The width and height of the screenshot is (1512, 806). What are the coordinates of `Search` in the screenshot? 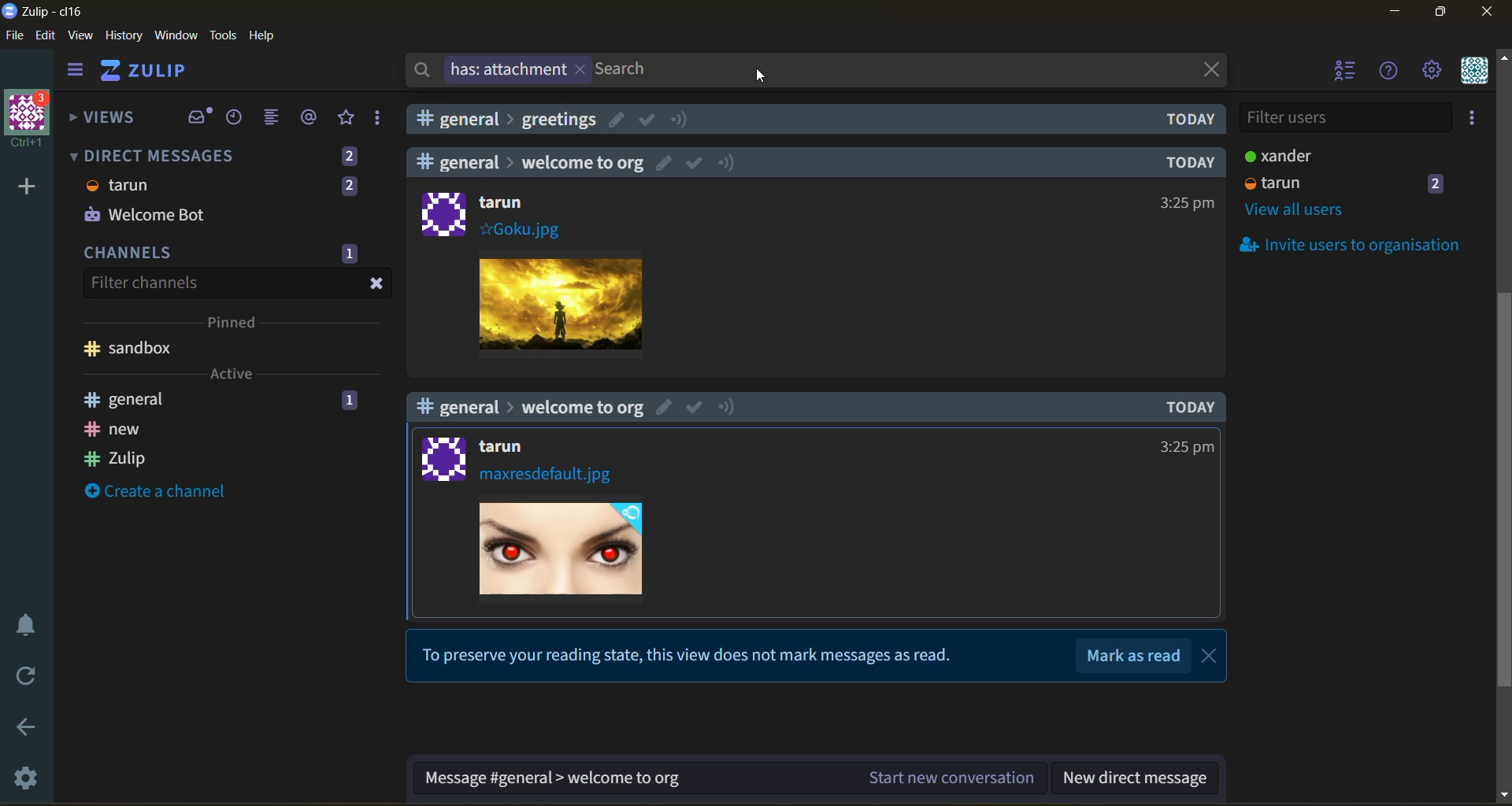 It's located at (626, 70).